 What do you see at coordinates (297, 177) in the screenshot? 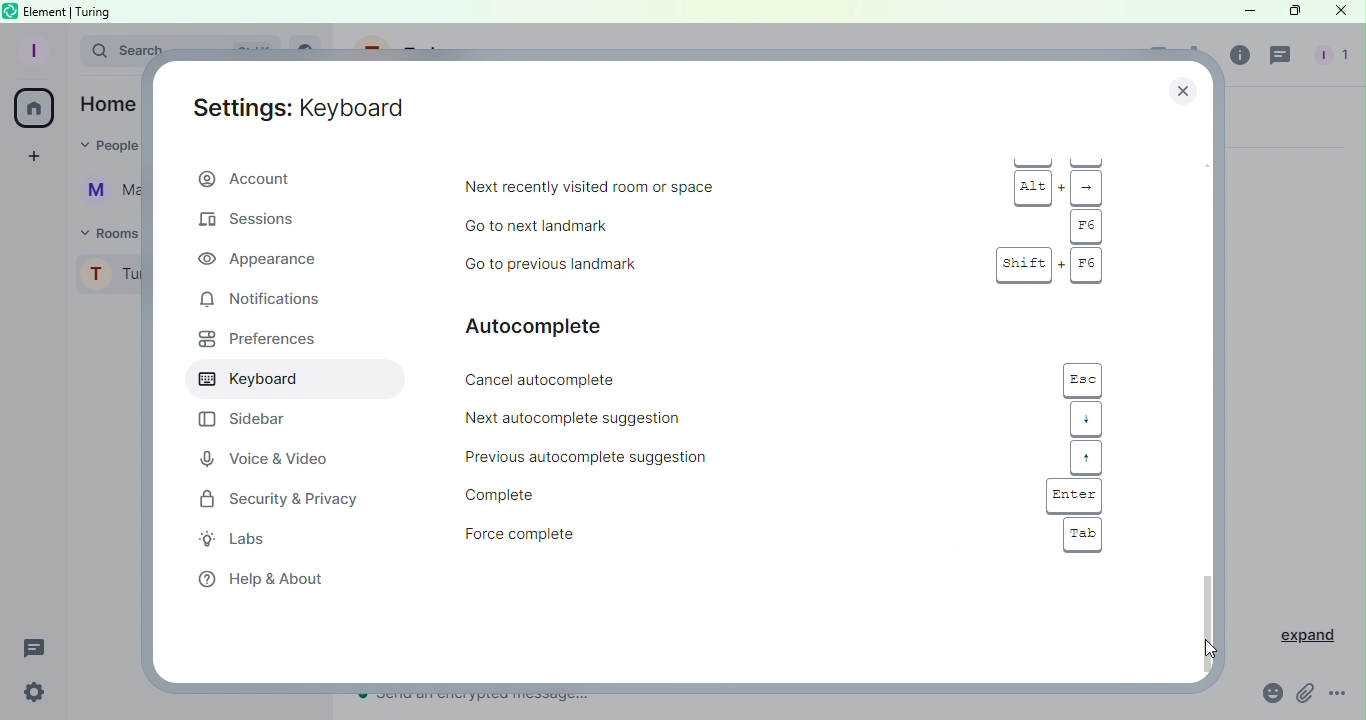
I see `Account` at bounding box center [297, 177].